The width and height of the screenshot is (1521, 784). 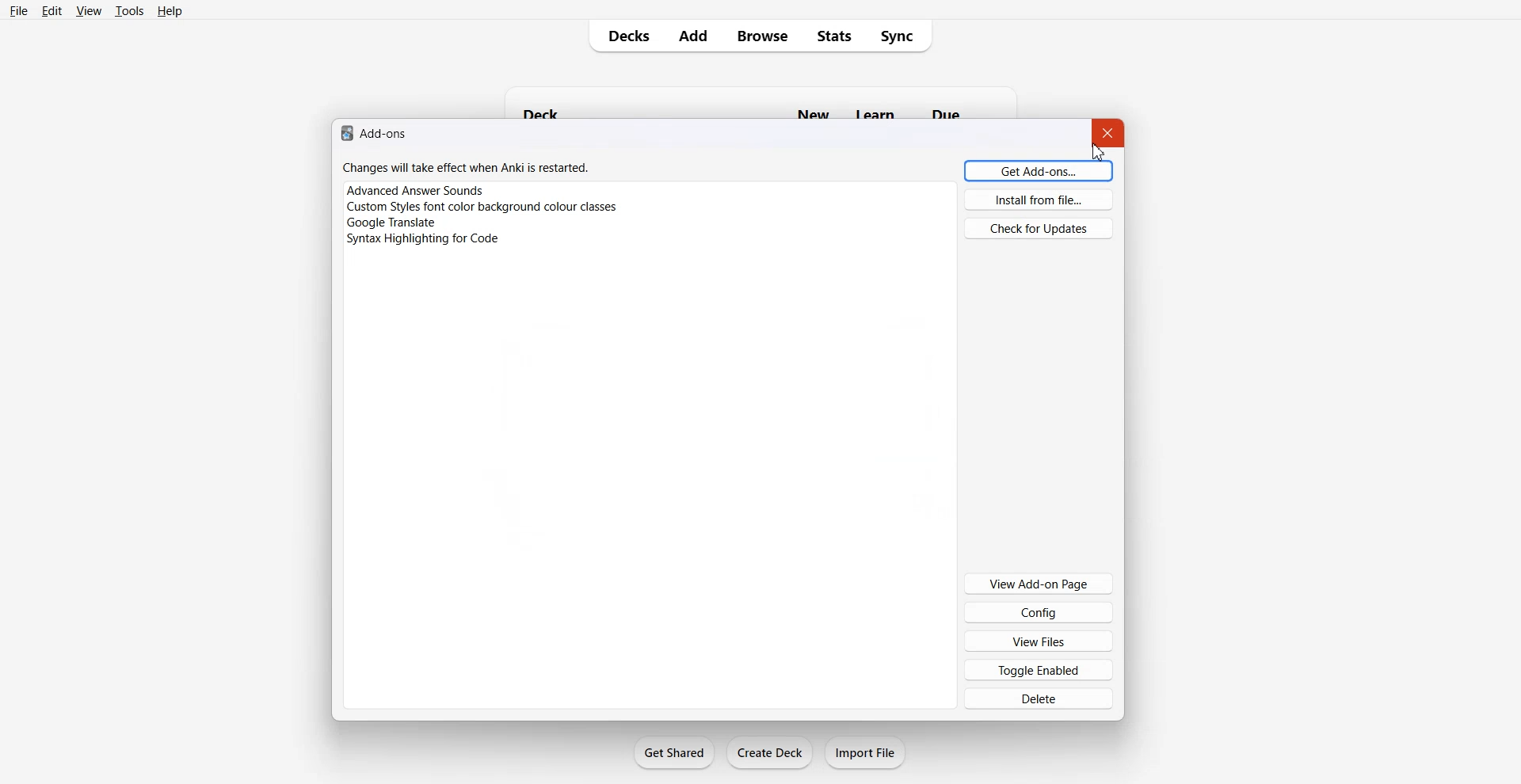 I want to click on Get Add-ons, so click(x=1039, y=170).